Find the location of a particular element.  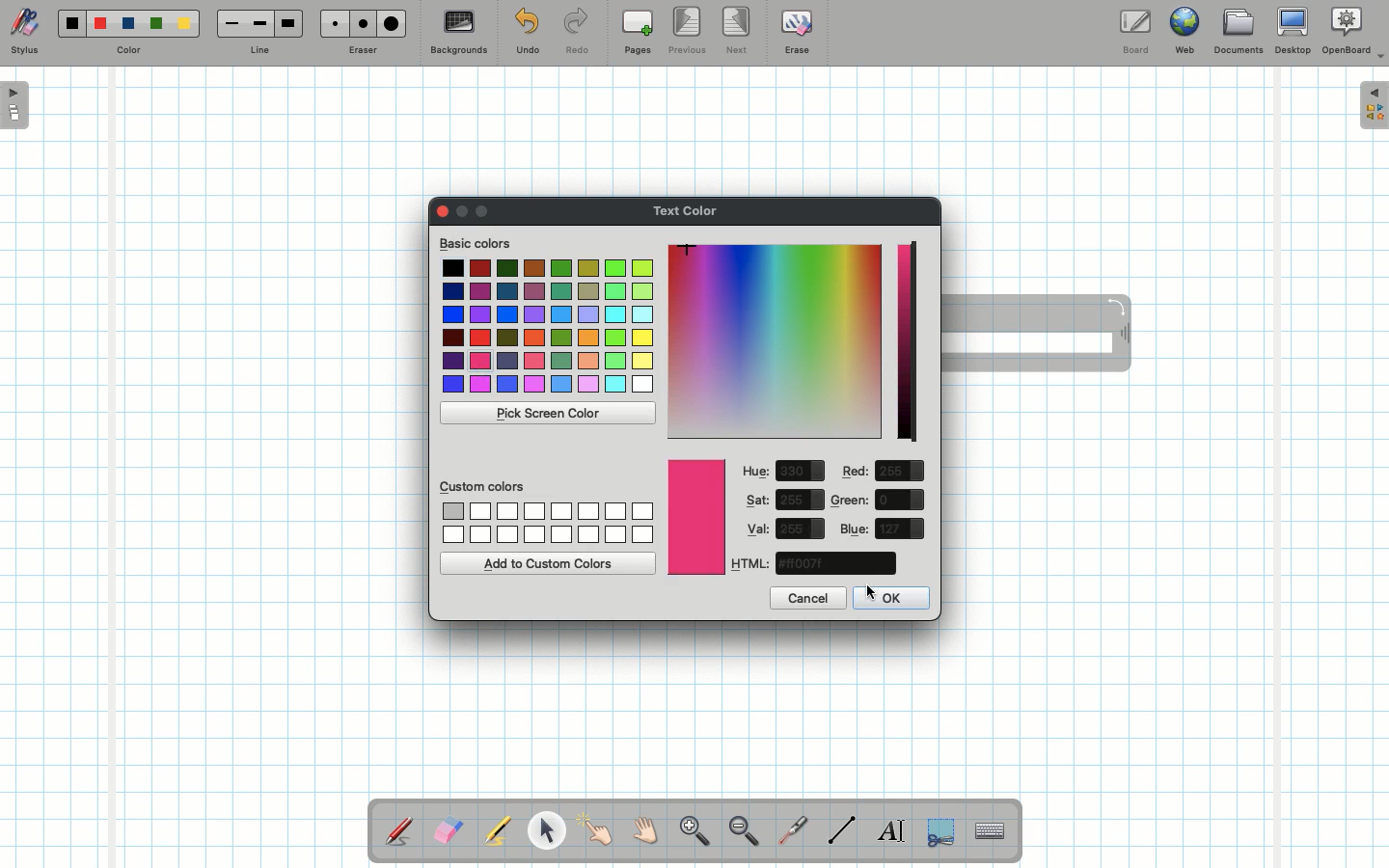

Line is located at coordinates (842, 829).